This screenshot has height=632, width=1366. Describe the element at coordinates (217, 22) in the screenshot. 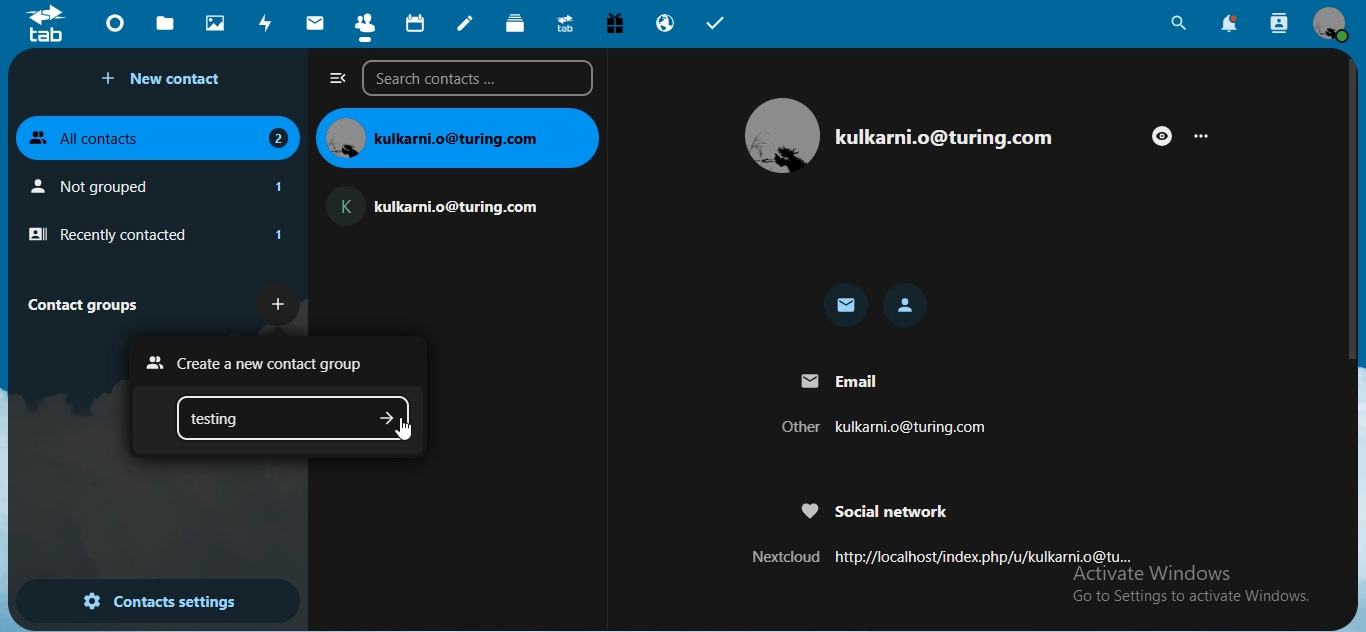

I see `photos` at that location.